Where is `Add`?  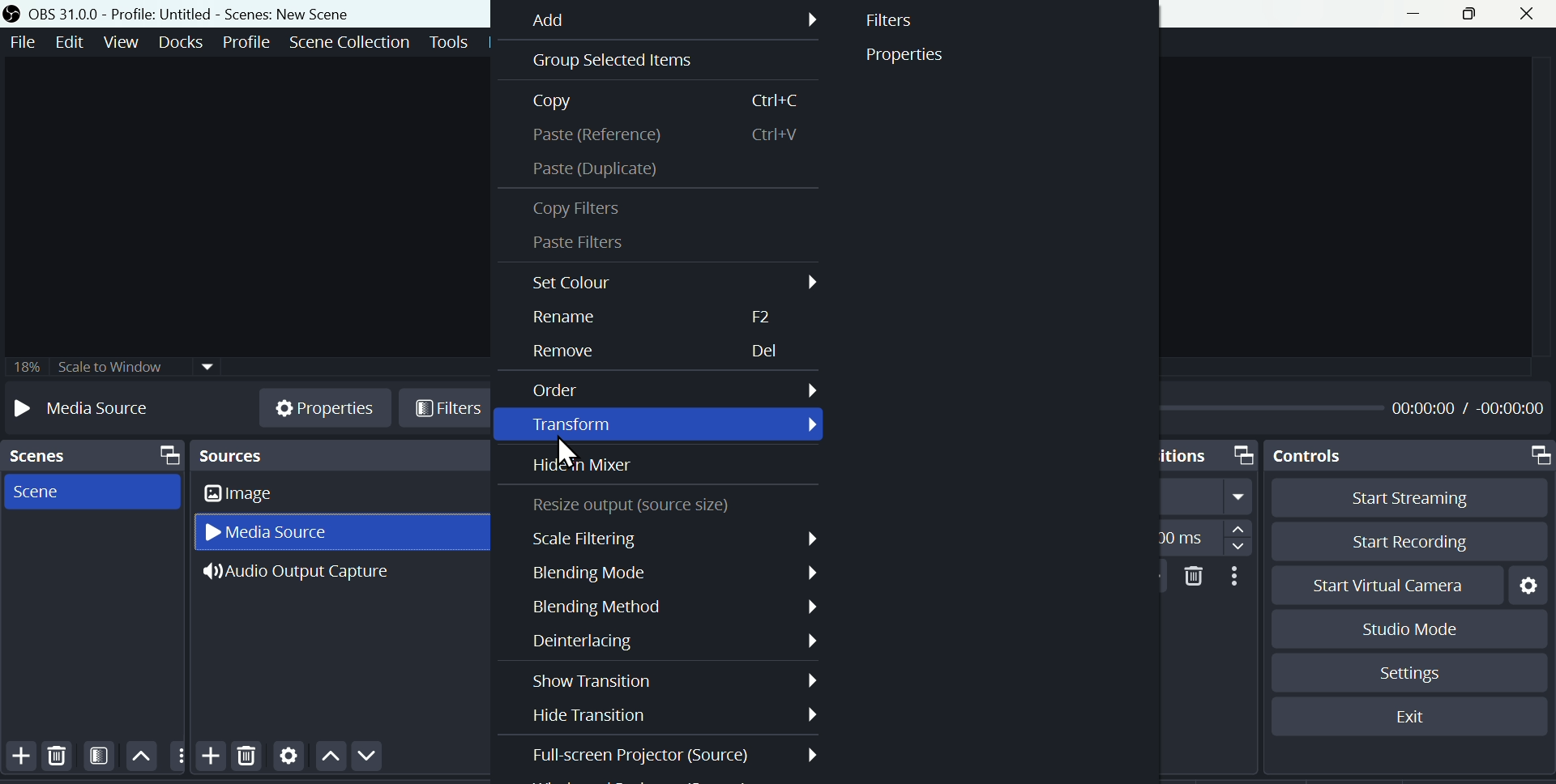 Add is located at coordinates (674, 20).